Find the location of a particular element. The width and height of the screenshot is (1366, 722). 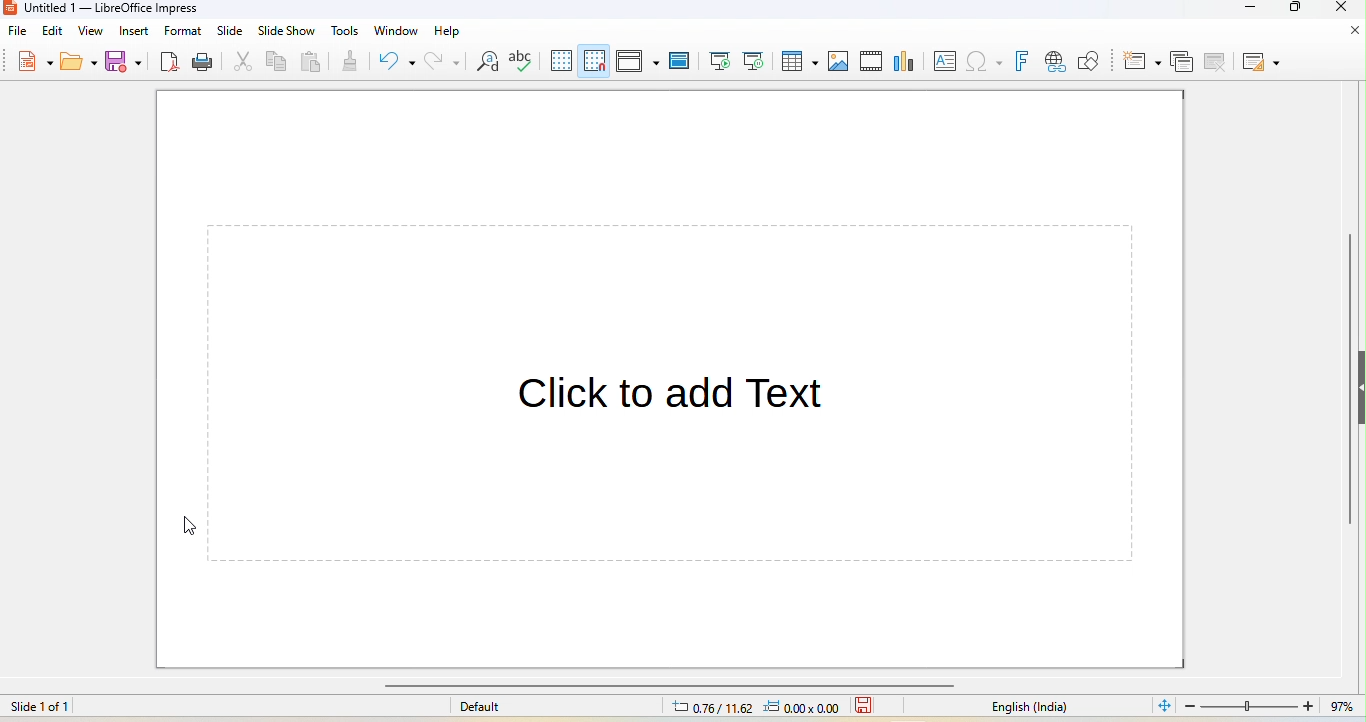

print is located at coordinates (204, 63).